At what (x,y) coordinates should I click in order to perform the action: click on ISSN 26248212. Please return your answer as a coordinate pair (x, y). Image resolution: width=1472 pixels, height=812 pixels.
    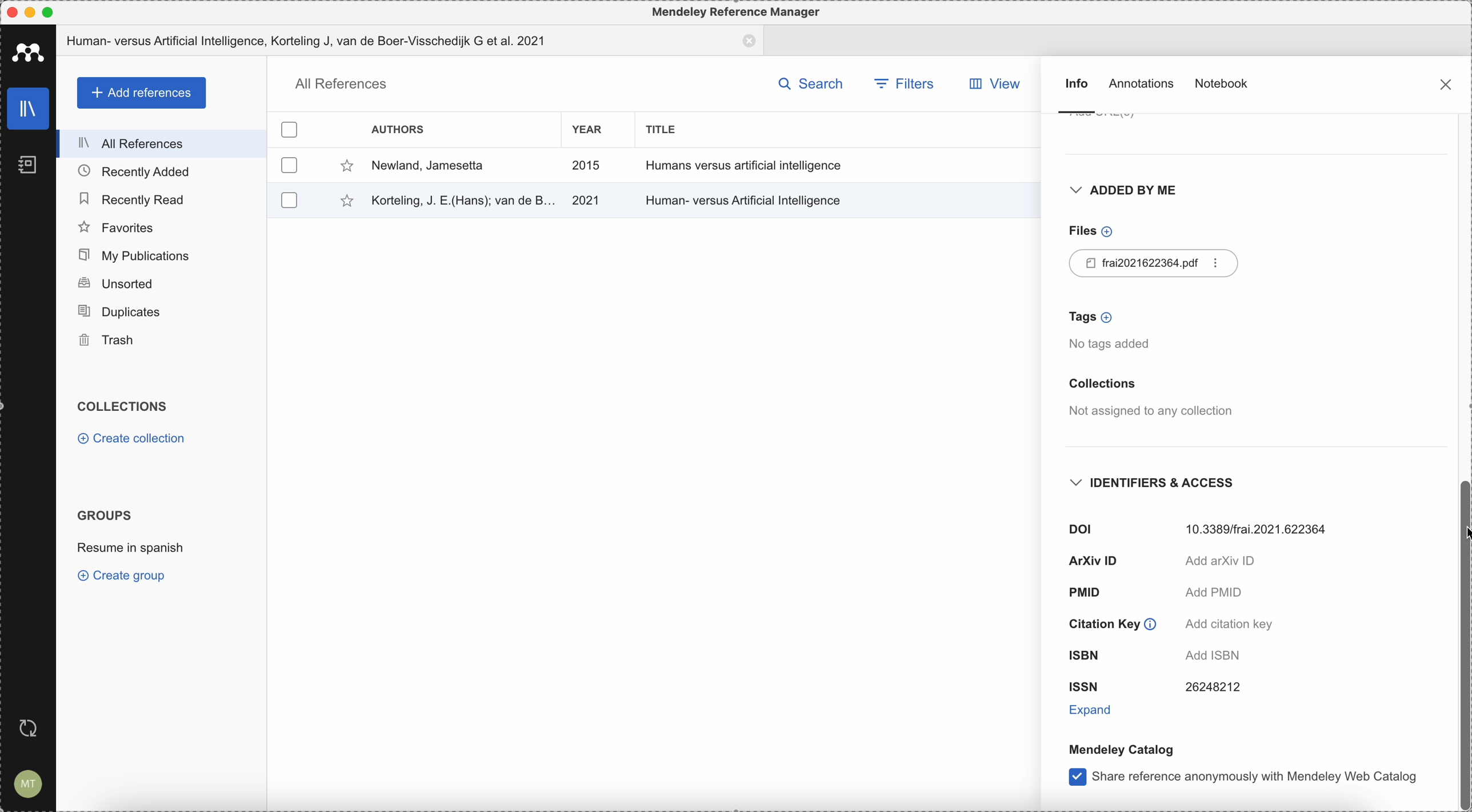
    Looking at the image, I should click on (1154, 687).